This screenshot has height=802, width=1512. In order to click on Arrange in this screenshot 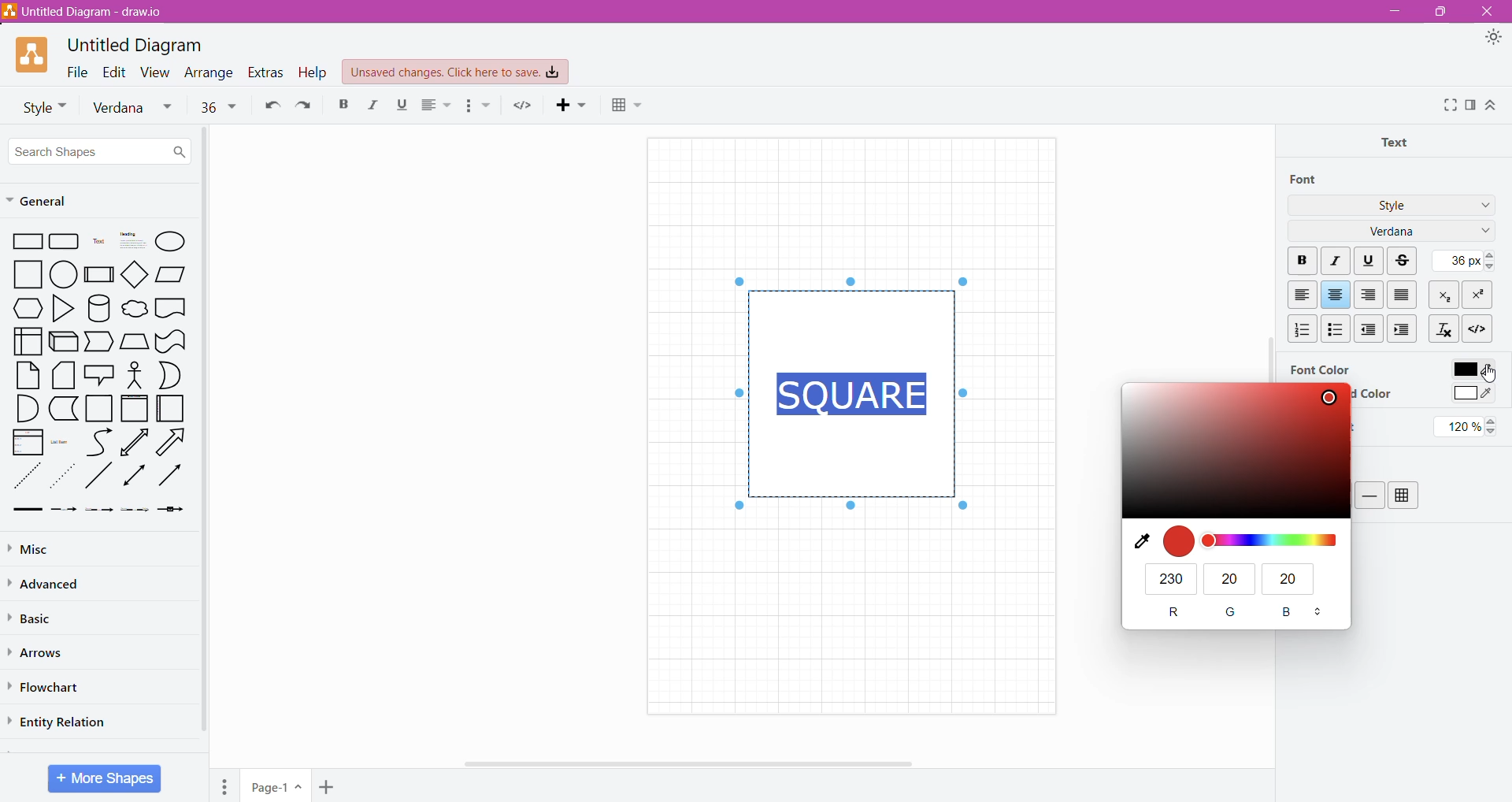, I will do `click(210, 72)`.